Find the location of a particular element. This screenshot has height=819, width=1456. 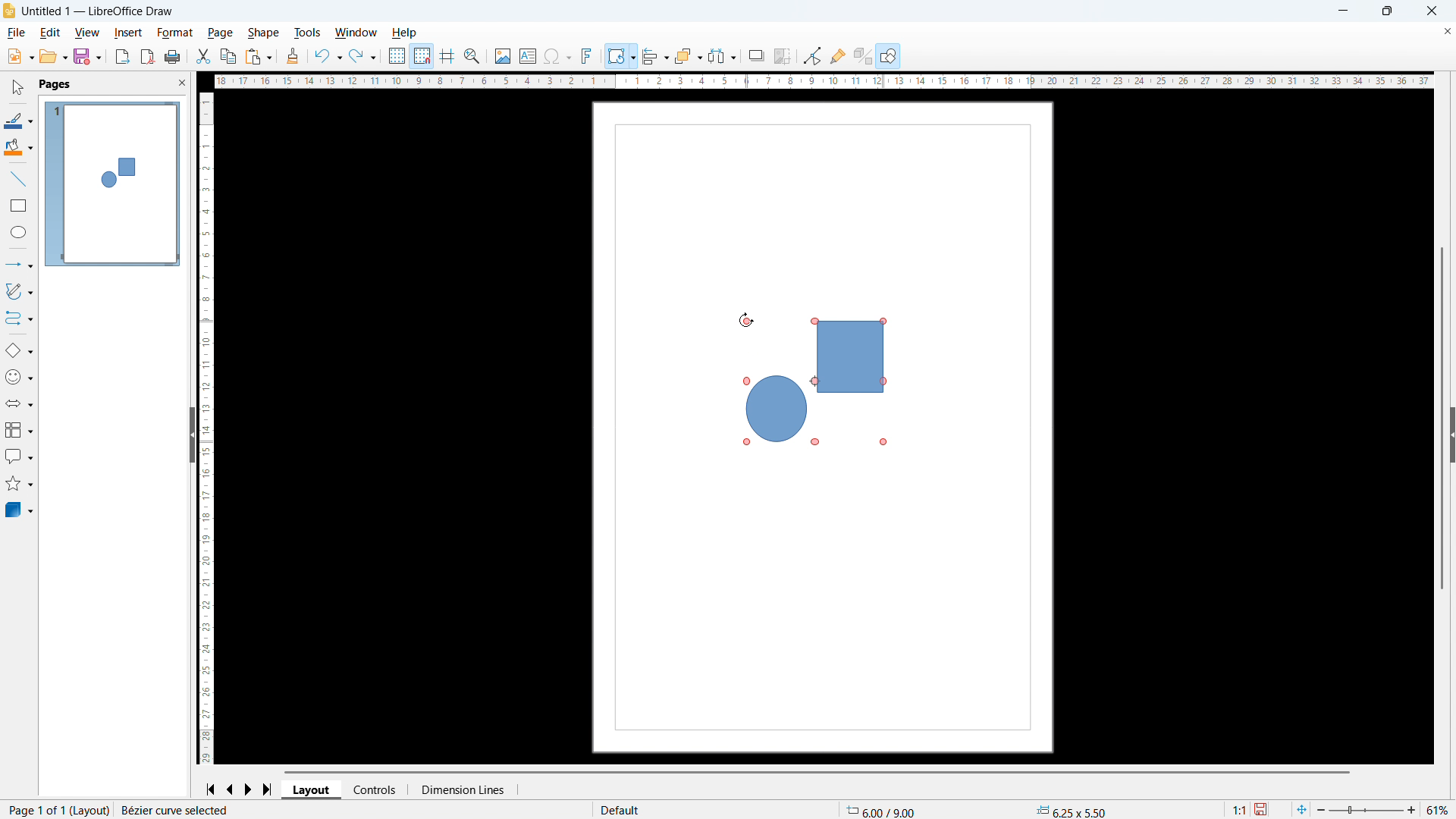

Horizontal ruler  is located at coordinates (823, 81).